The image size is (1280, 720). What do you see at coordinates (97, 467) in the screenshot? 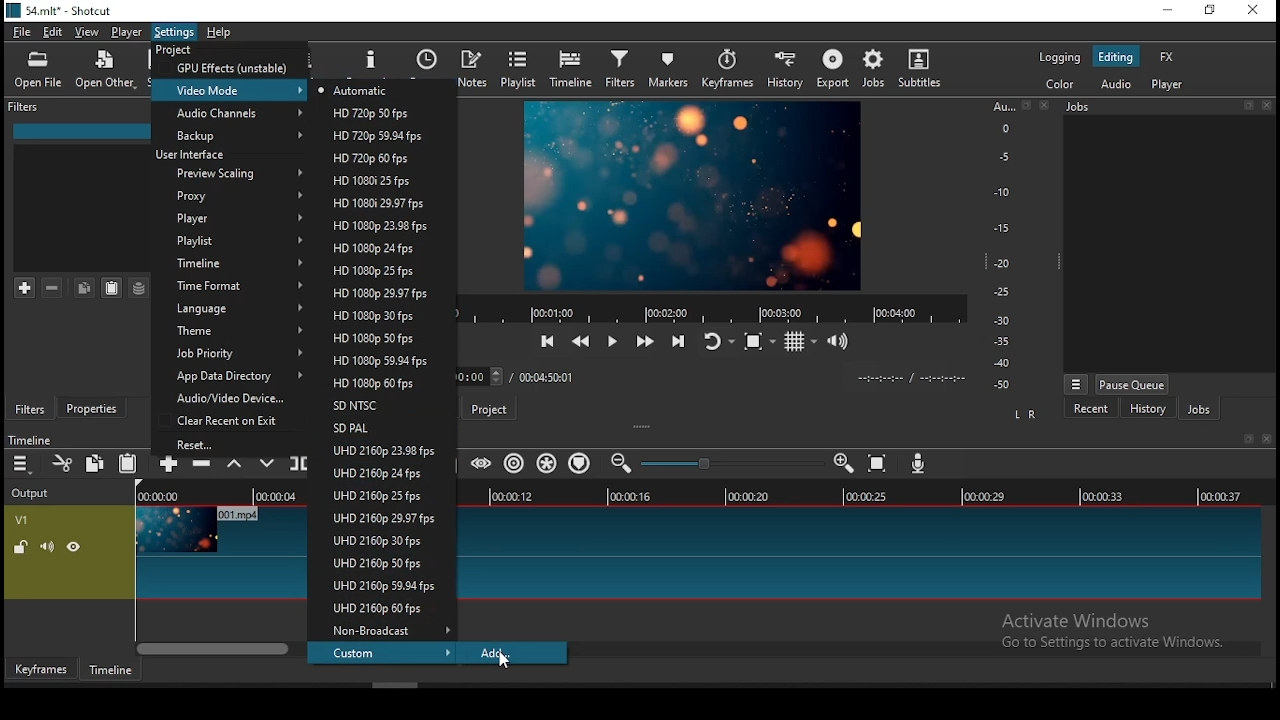
I see `copy` at bounding box center [97, 467].